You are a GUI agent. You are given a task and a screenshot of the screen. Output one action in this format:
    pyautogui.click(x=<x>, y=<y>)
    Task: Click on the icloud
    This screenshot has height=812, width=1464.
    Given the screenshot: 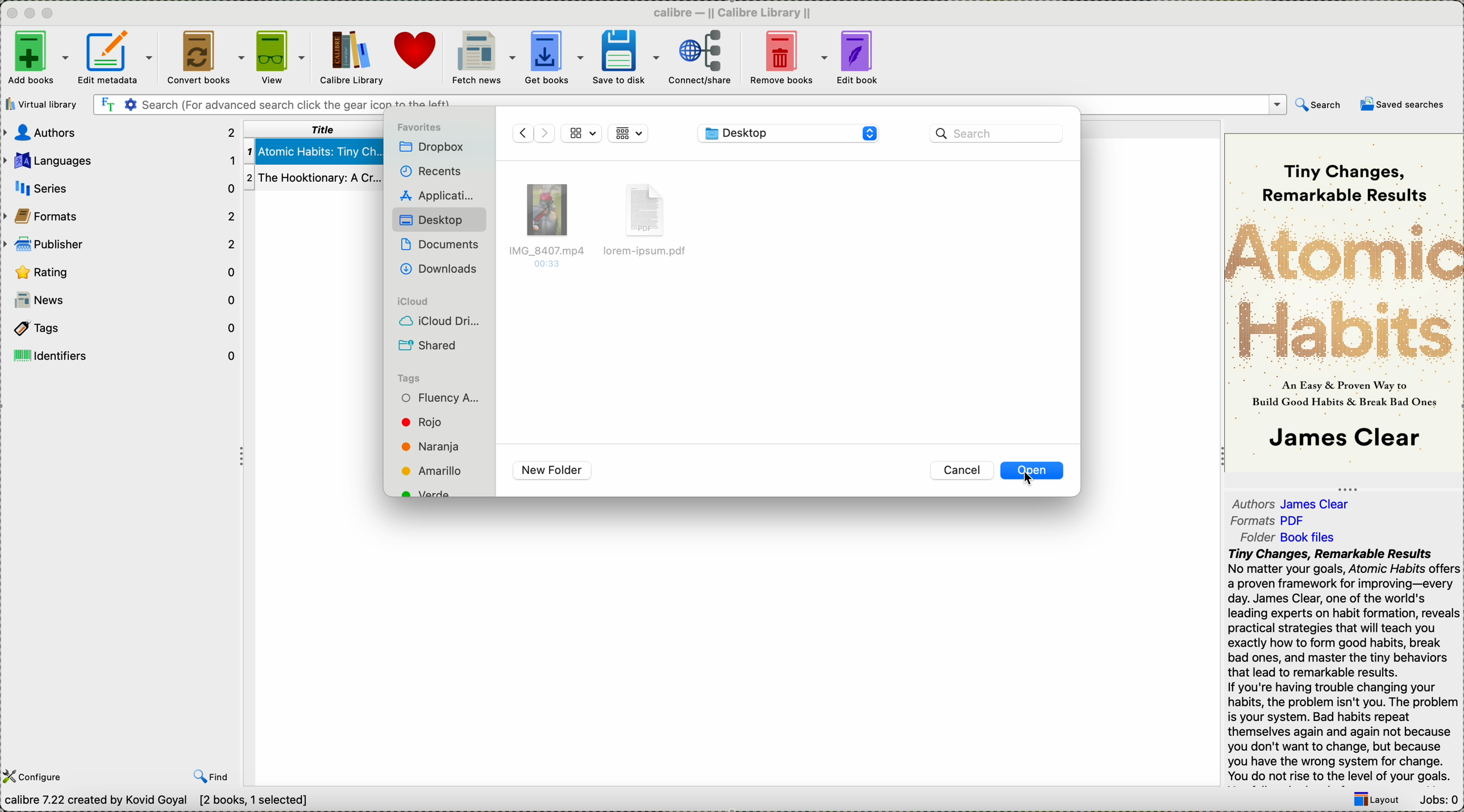 What is the action you would take?
    pyautogui.click(x=411, y=300)
    